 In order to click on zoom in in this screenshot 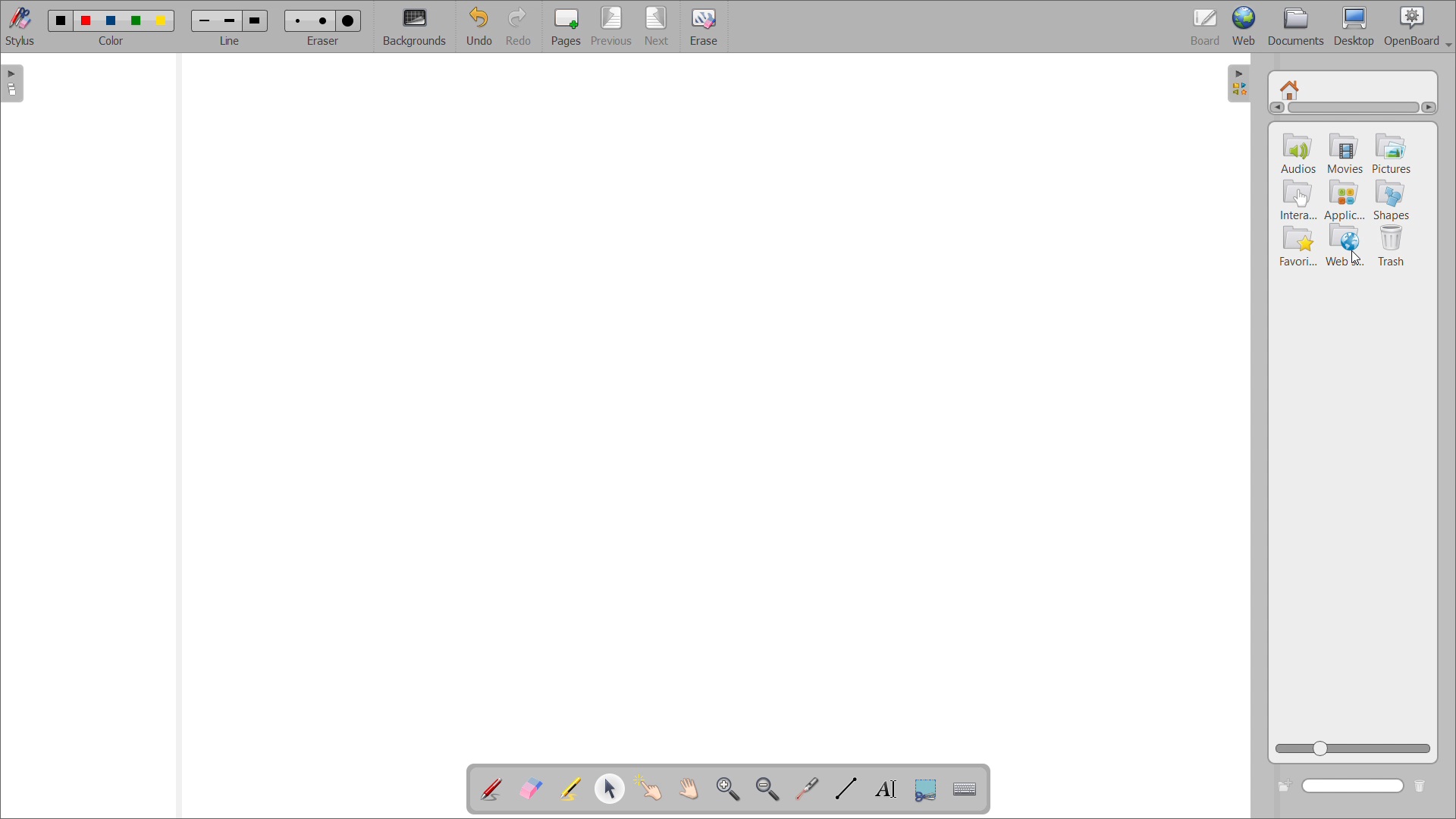, I will do `click(728, 788)`.